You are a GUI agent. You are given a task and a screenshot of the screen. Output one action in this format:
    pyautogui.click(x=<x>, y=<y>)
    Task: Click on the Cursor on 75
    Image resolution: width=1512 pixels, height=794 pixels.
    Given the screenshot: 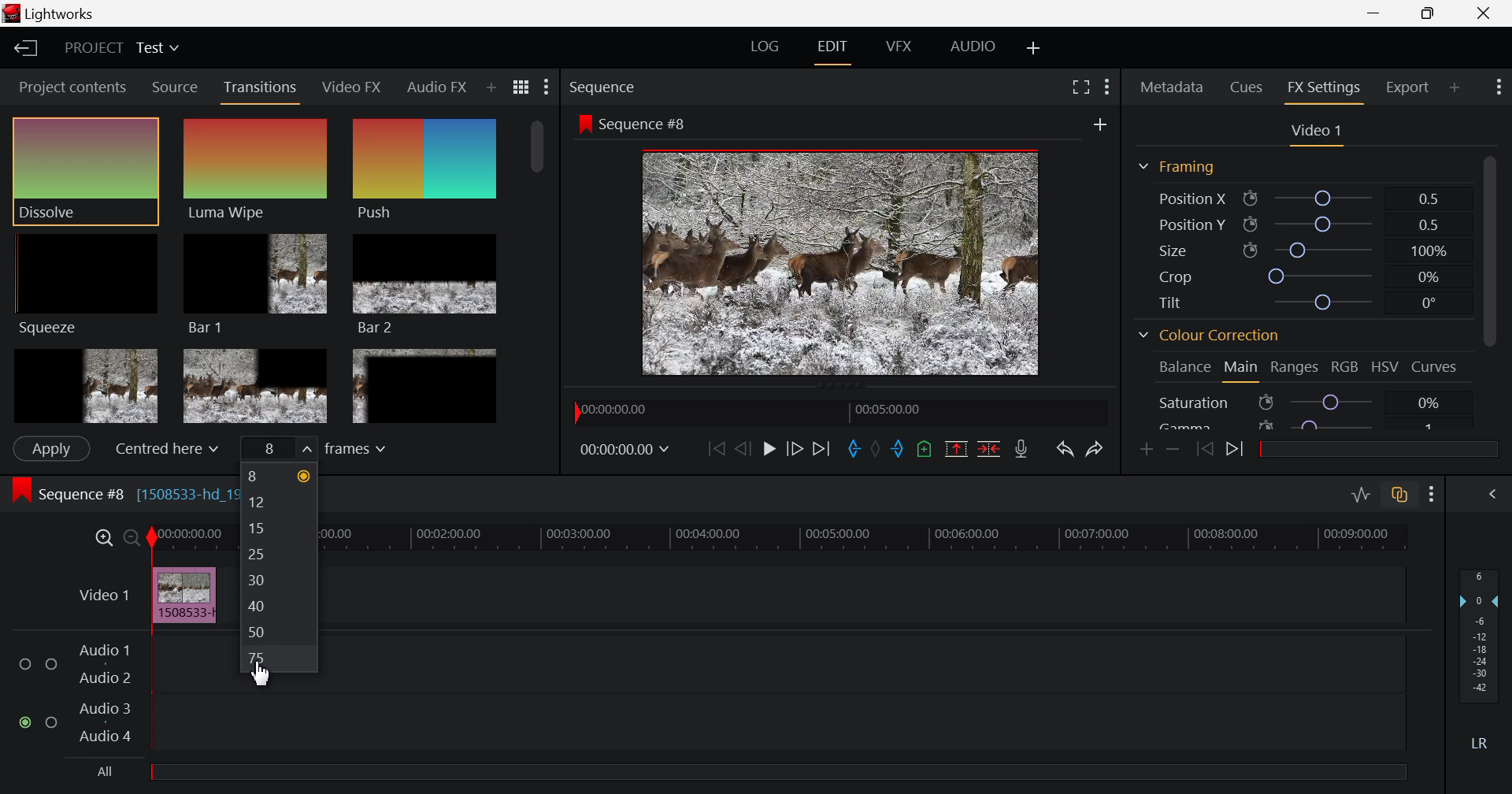 What is the action you would take?
    pyautogui.click(x=283, y=657)
    